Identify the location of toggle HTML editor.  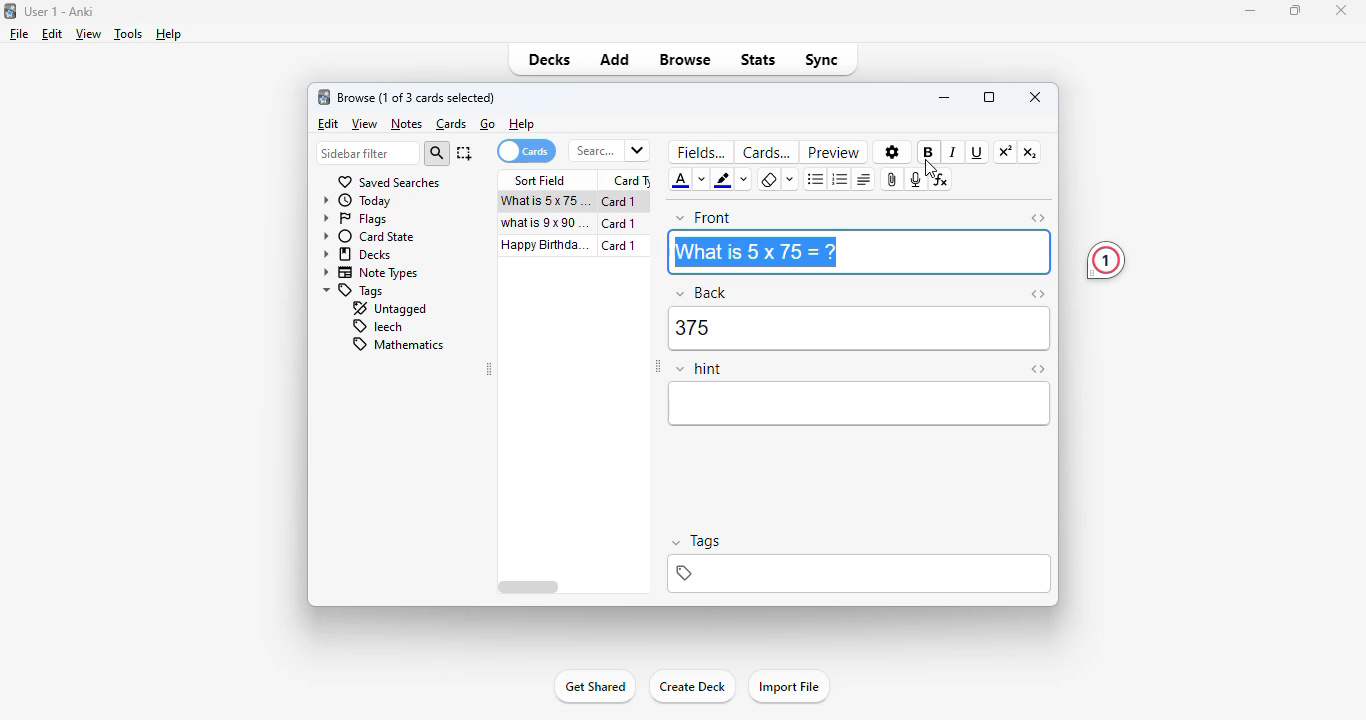
(1037, 295).